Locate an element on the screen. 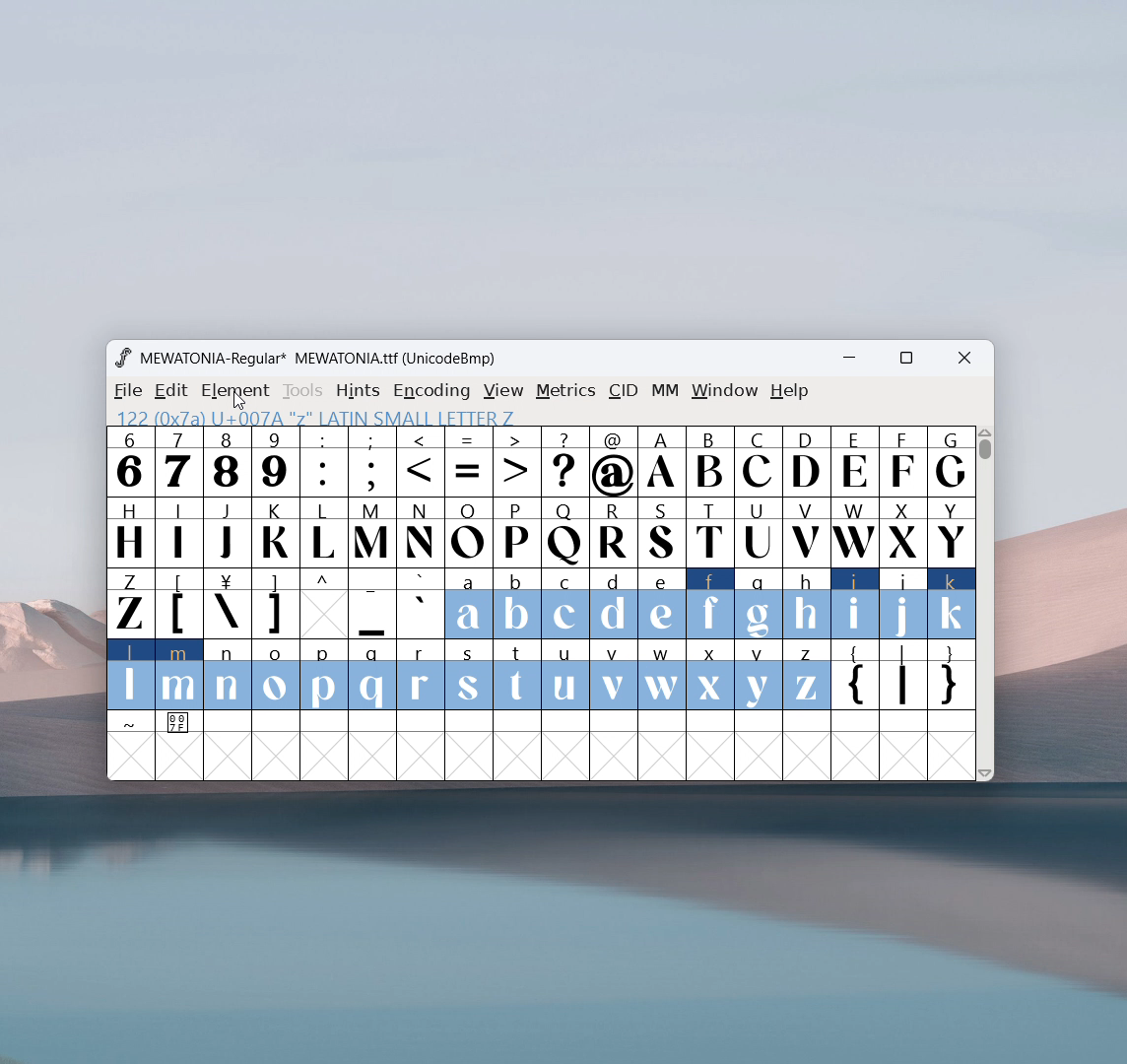  ` is located at coordinates (420, 604).